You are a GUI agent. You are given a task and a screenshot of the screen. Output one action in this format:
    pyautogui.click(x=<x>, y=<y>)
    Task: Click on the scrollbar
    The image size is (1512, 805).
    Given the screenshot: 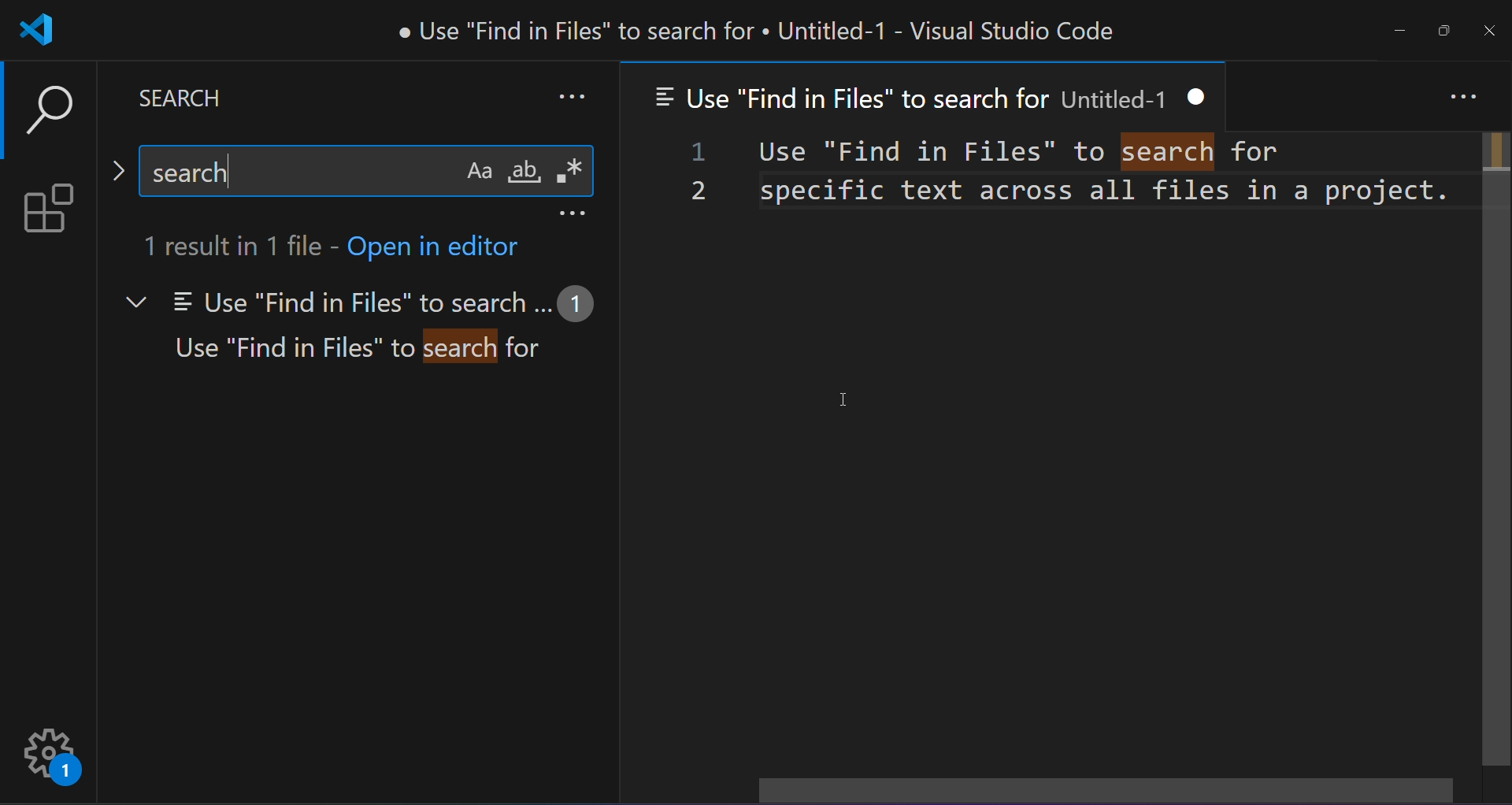 What is the action you would take?
    pyautogui.click(x=1492, y=451)
    